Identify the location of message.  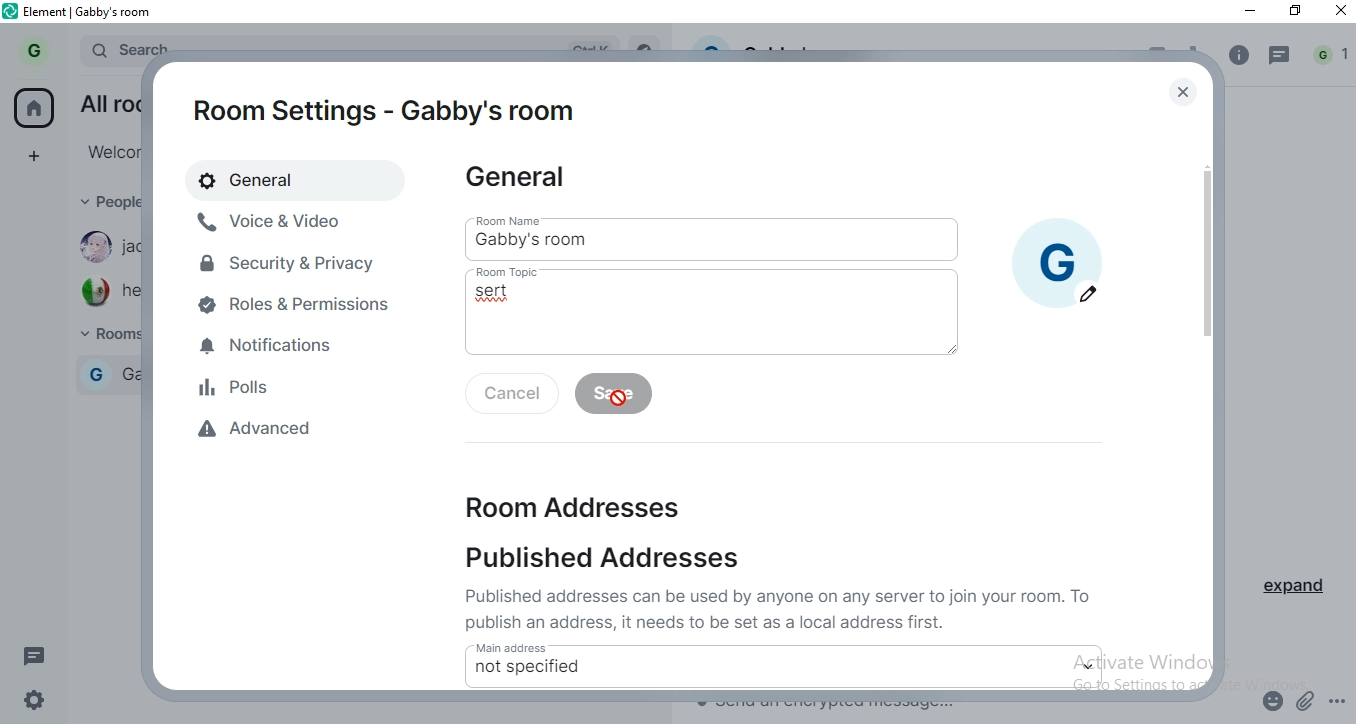
(37, 655).